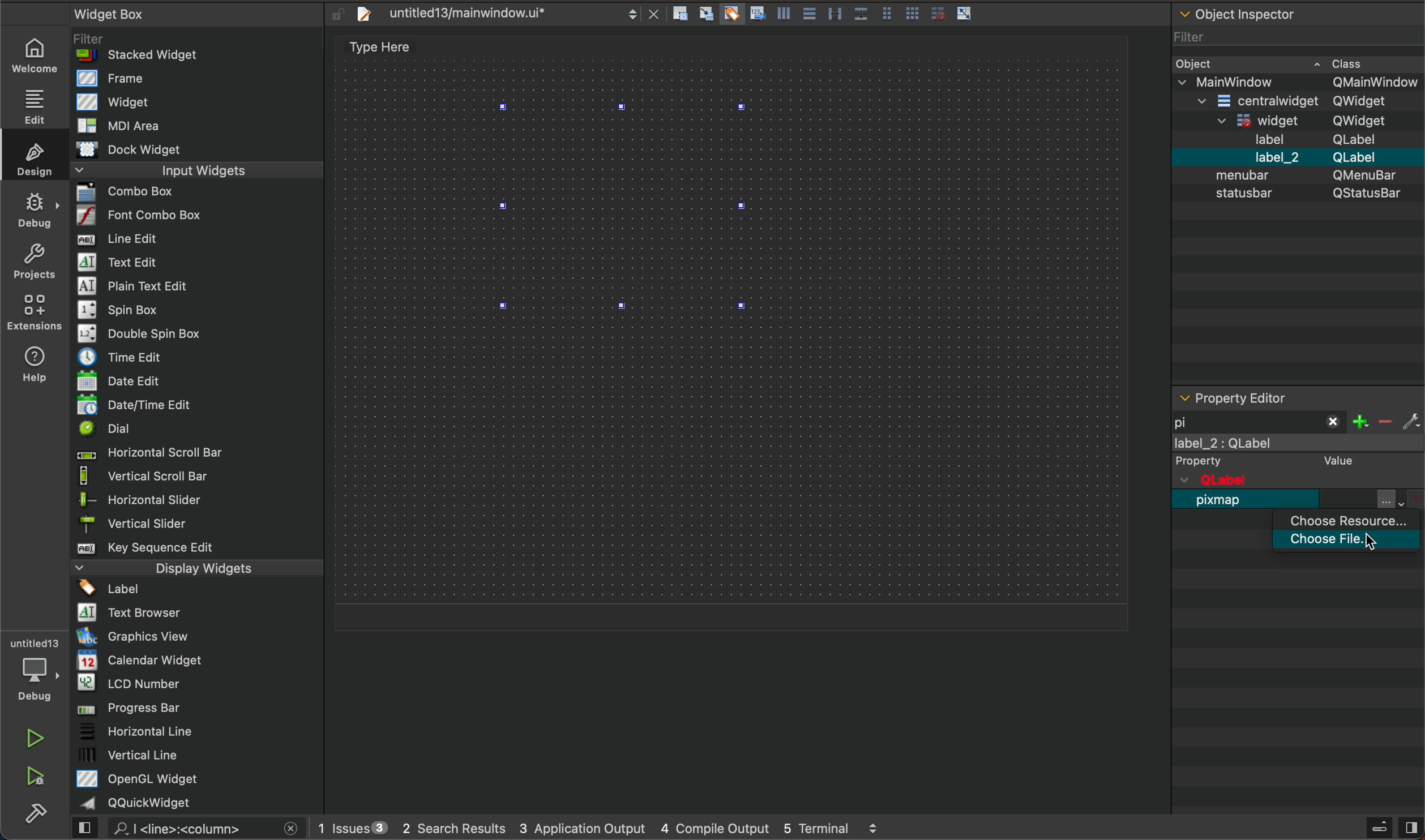  Describe the element at coordinates (33, 259) in the screenshot. I see `projects` at that location.